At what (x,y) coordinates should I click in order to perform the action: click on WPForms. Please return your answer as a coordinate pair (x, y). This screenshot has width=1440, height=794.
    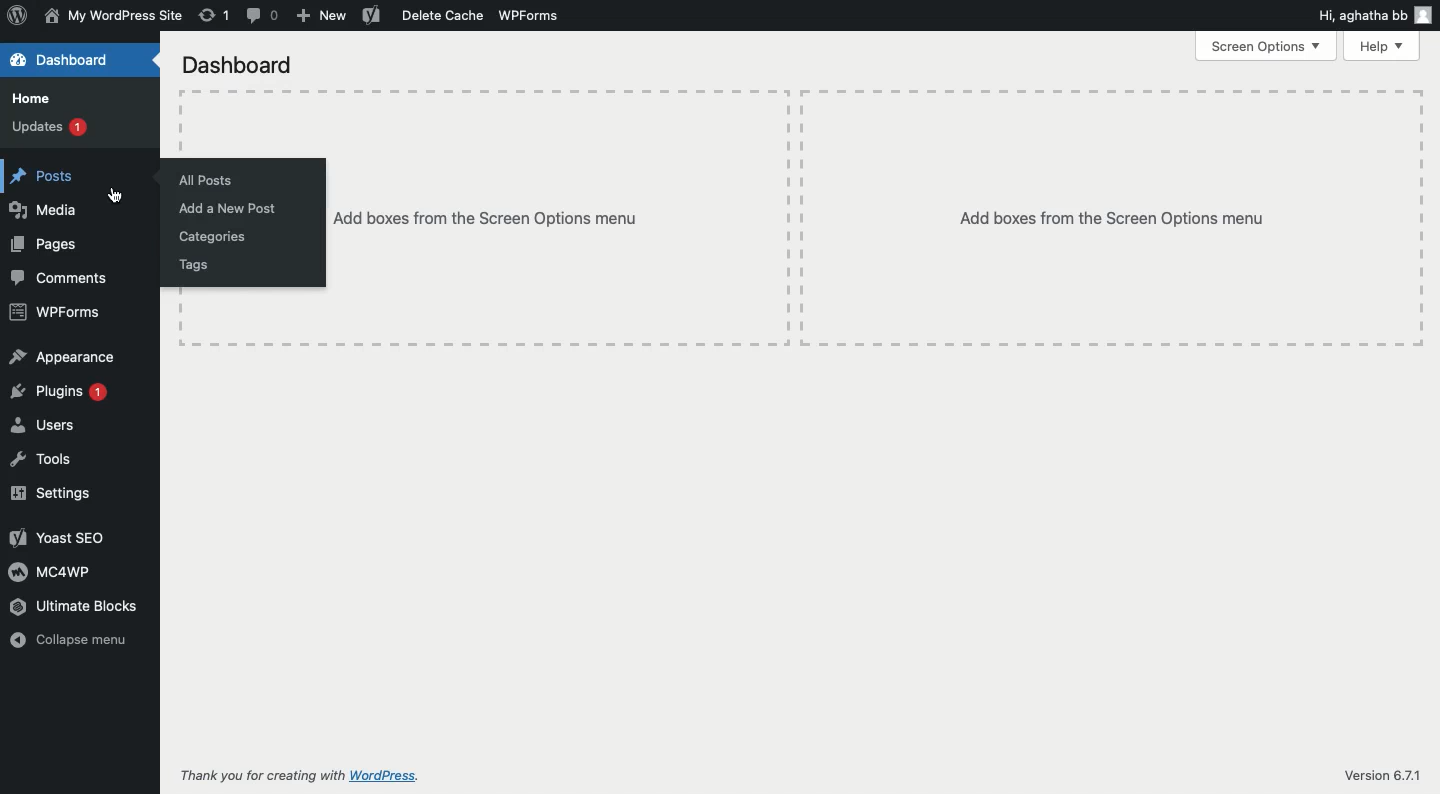
    Looking at the image, I should click on (56, 314).